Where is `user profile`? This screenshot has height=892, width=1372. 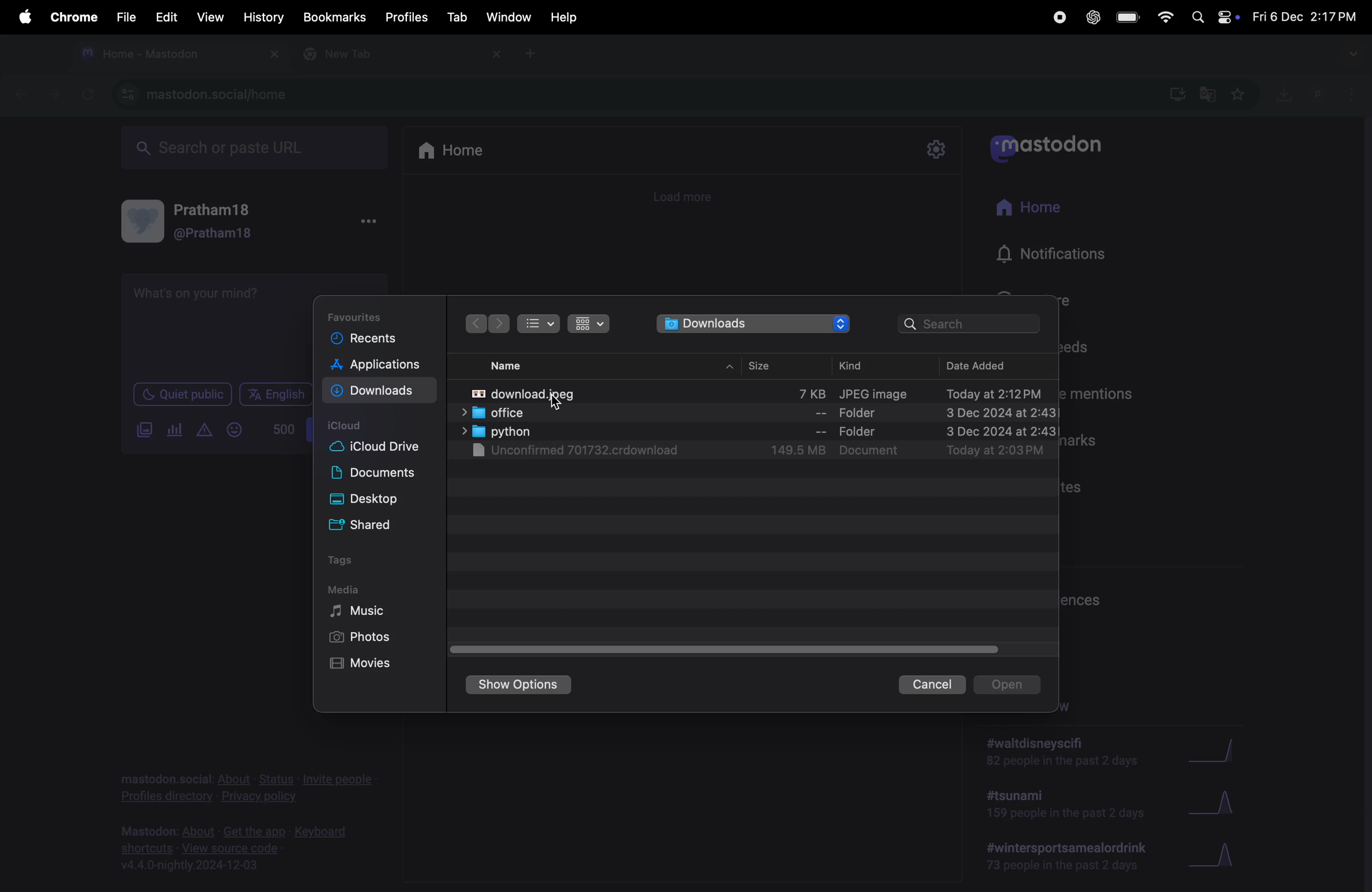 user profile is located at coordinates (1319, 93).